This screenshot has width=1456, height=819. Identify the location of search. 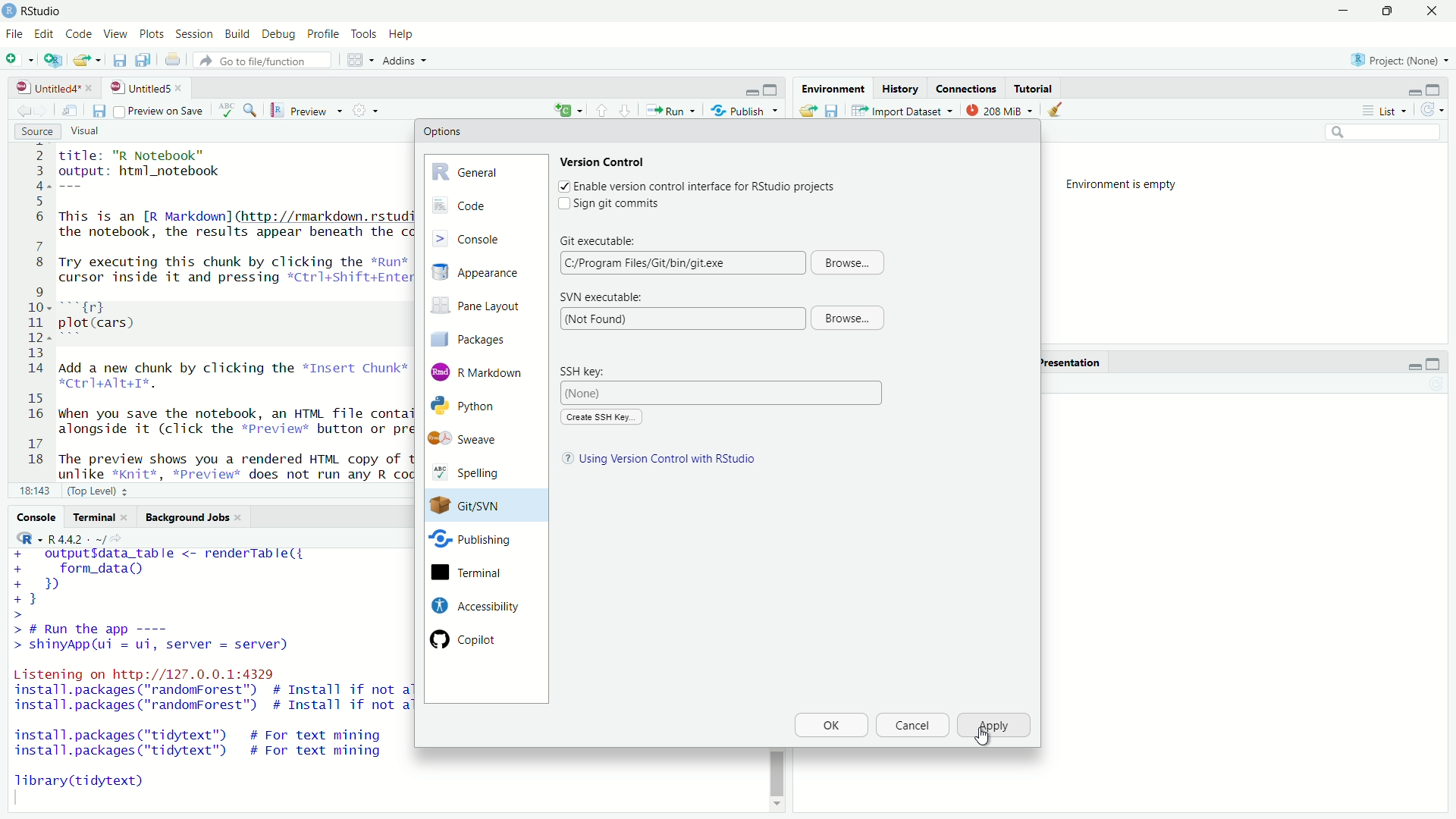
(1385, 133).